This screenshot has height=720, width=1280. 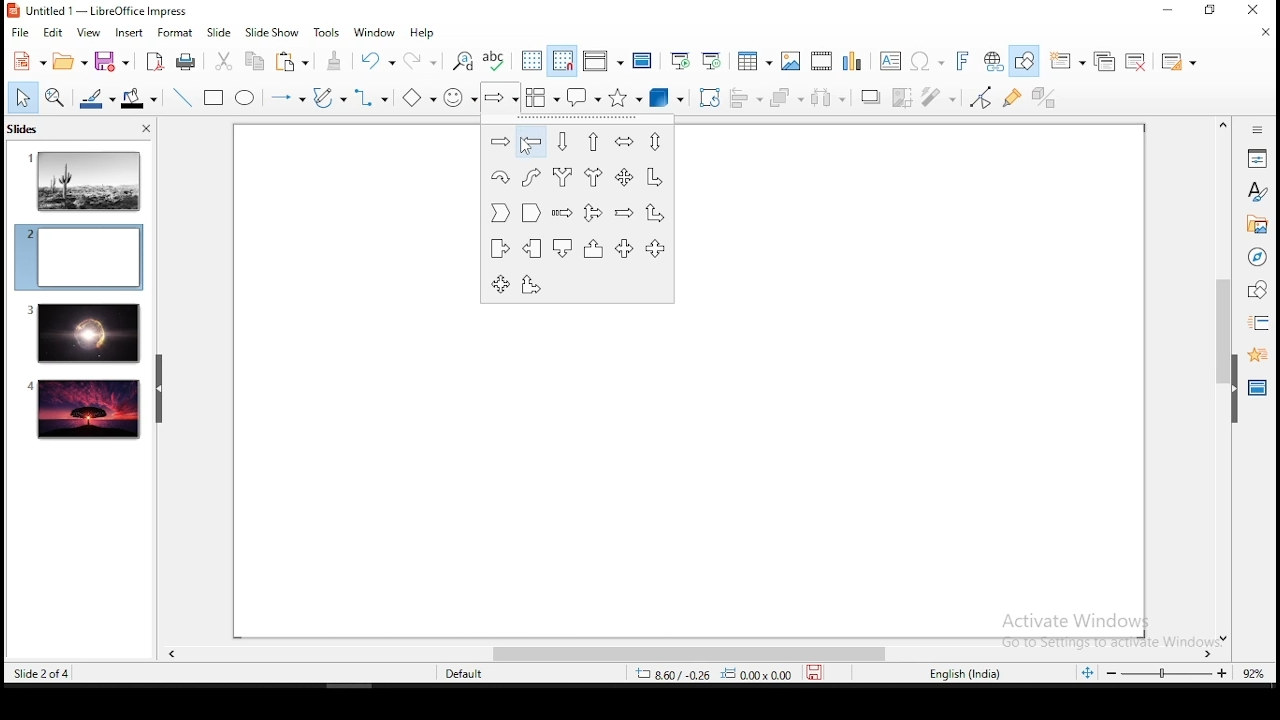 What do you see at coordinates (1087, 674) in the screenshot?
I see `fit to screen` at bounding box center [1087, 674].